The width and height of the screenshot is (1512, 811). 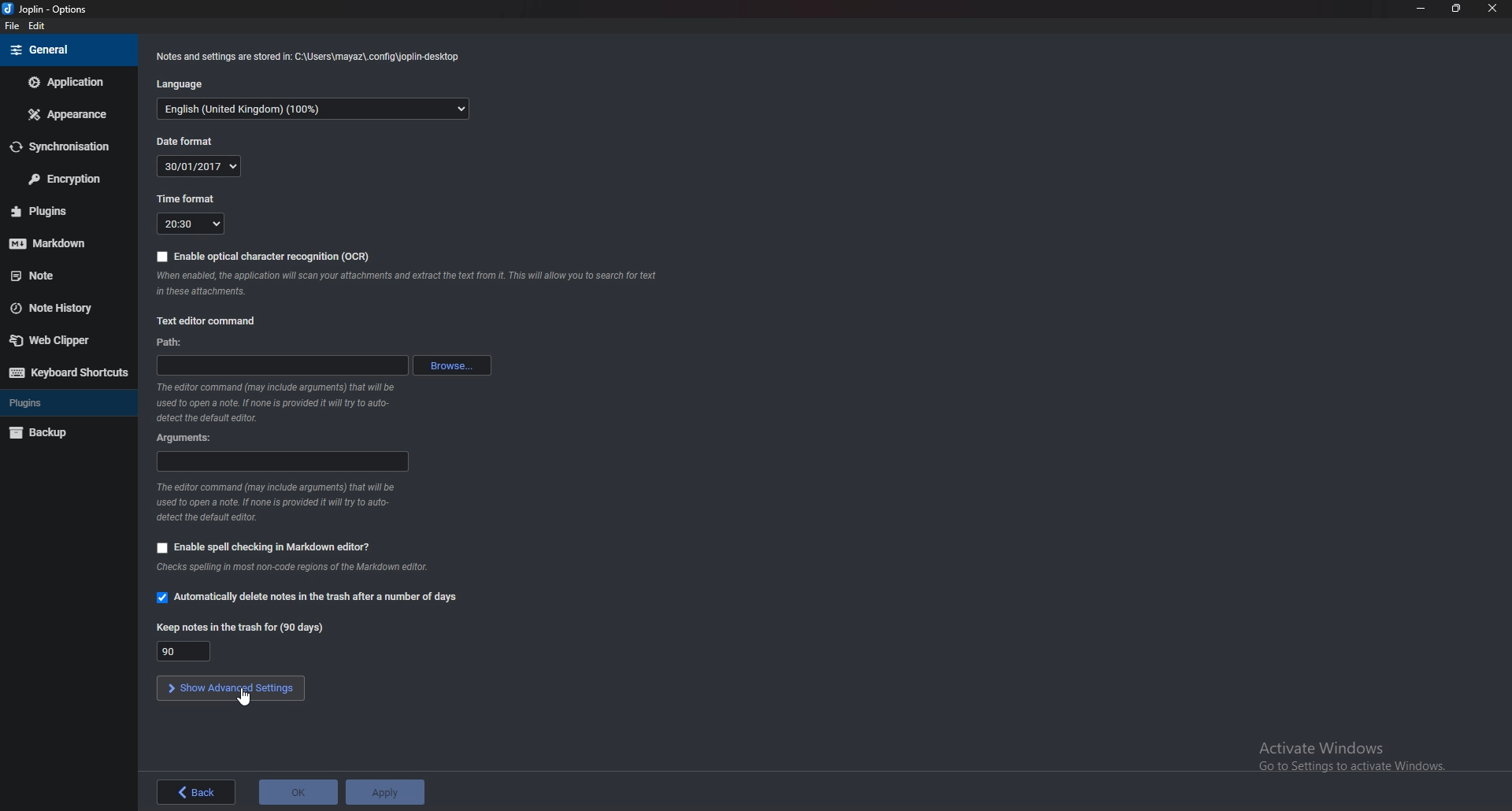 What do you see at coordinates (1363, 752) in the screenshot?
I see `activate windows` at bounding box center [1363, 752].